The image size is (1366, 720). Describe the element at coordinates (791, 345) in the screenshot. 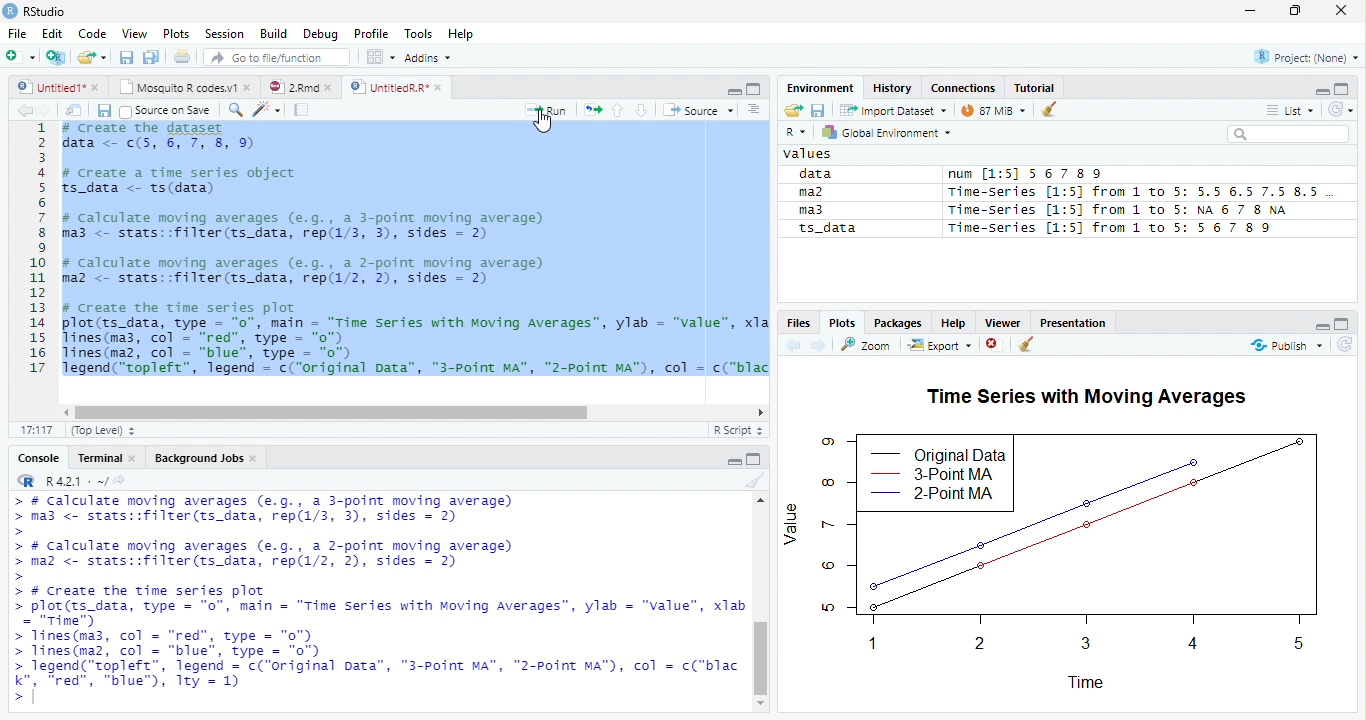

I see `back` at that location.